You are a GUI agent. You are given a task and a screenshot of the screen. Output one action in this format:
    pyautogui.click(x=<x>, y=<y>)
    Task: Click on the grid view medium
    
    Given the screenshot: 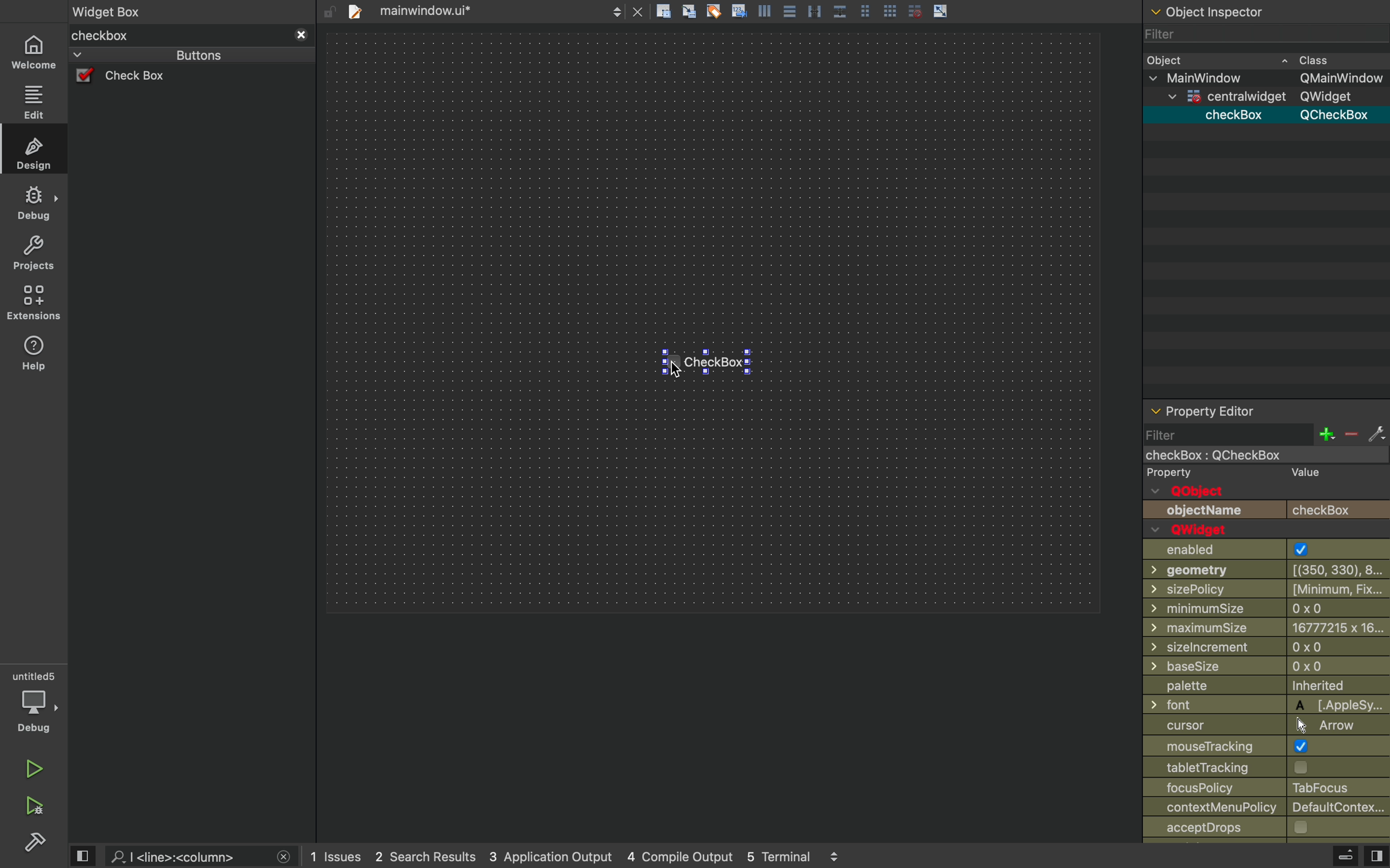 What is the action you would take?
    pyautogui.click(x=864, y=10)
    